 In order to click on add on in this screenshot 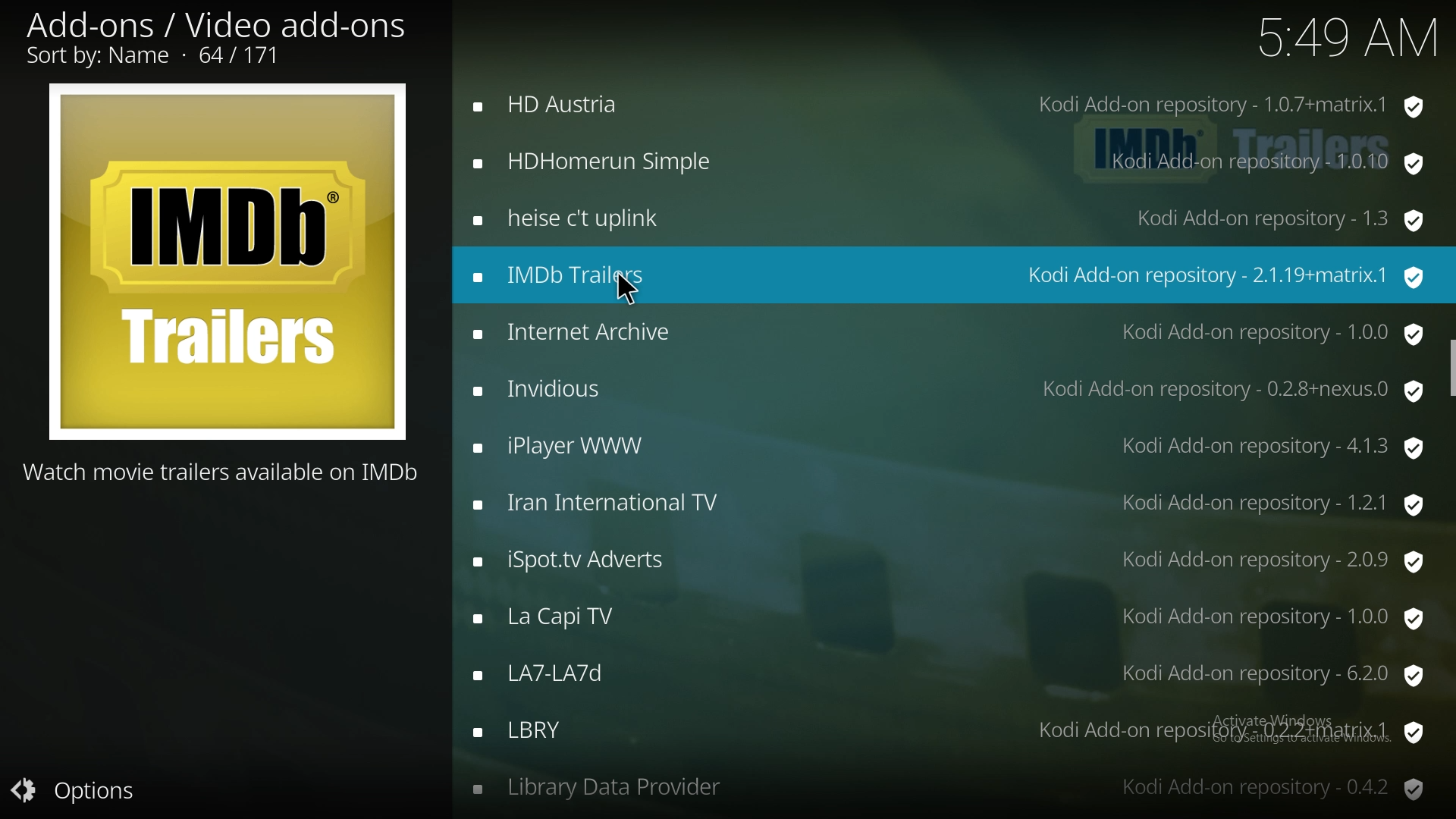, I will do `click(949, 791)`.